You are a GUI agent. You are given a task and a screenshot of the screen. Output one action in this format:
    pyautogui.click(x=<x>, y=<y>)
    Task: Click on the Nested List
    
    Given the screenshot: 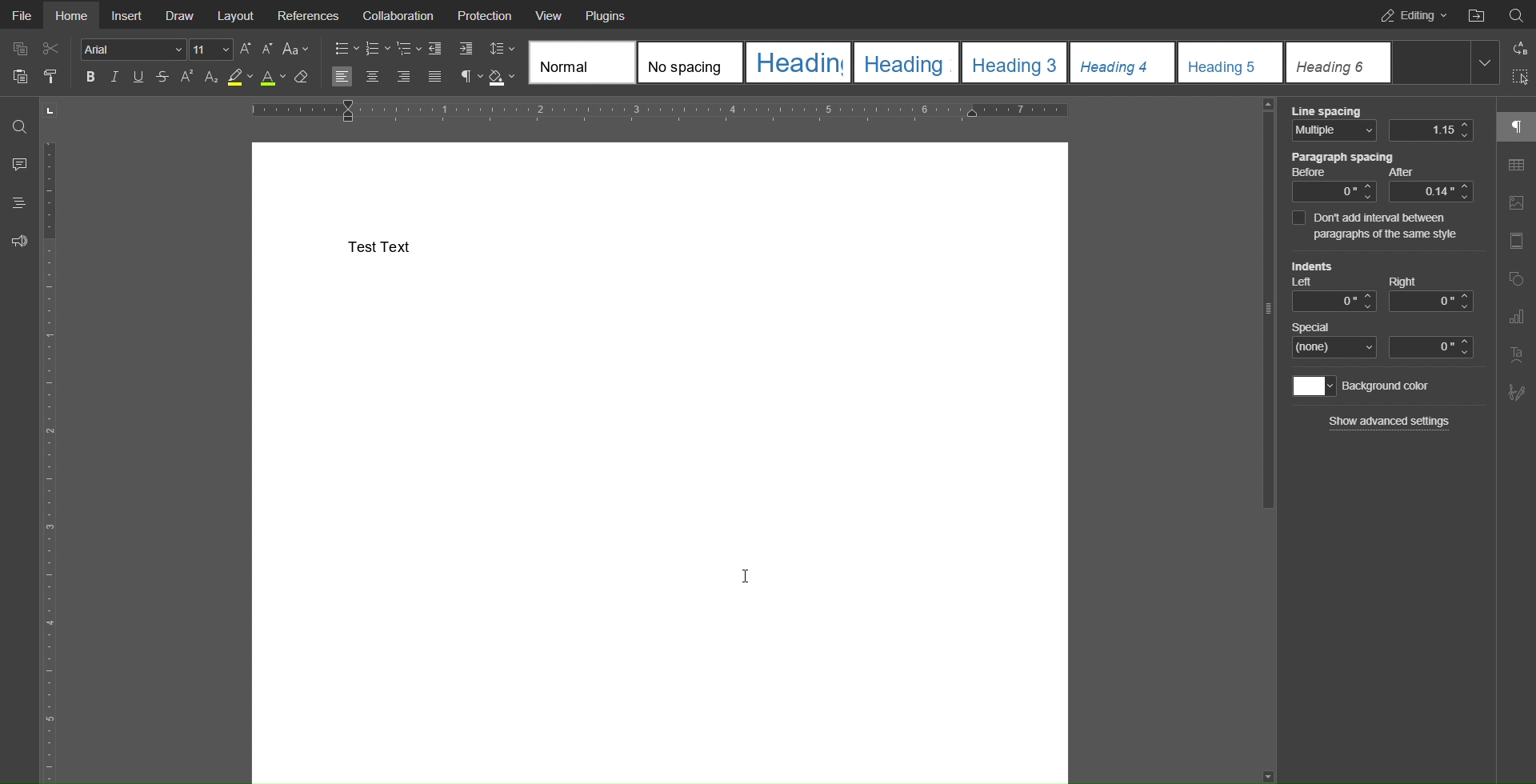 What is the action you would take?
    pyautogui.click(x=409, y=50)
    